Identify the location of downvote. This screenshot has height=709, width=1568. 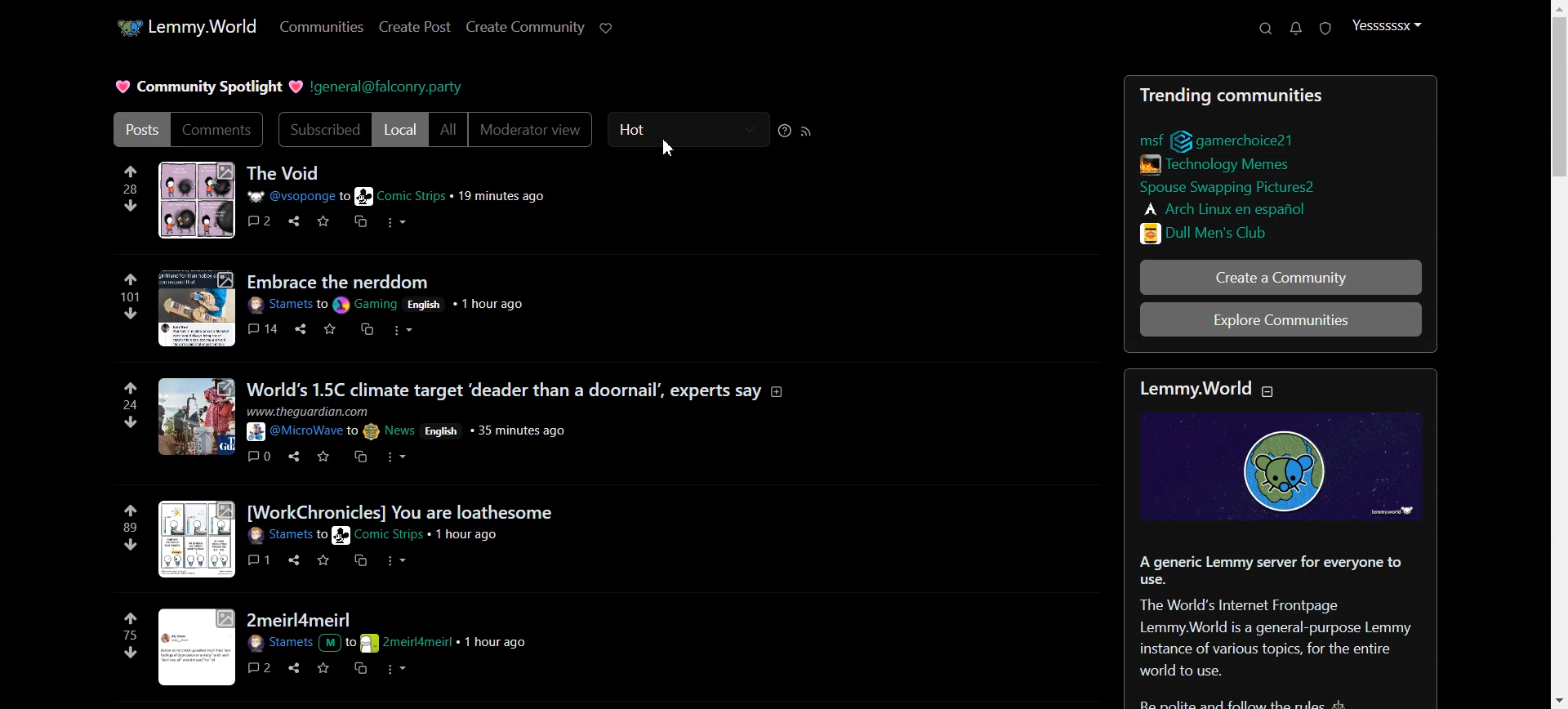
(129, 204).